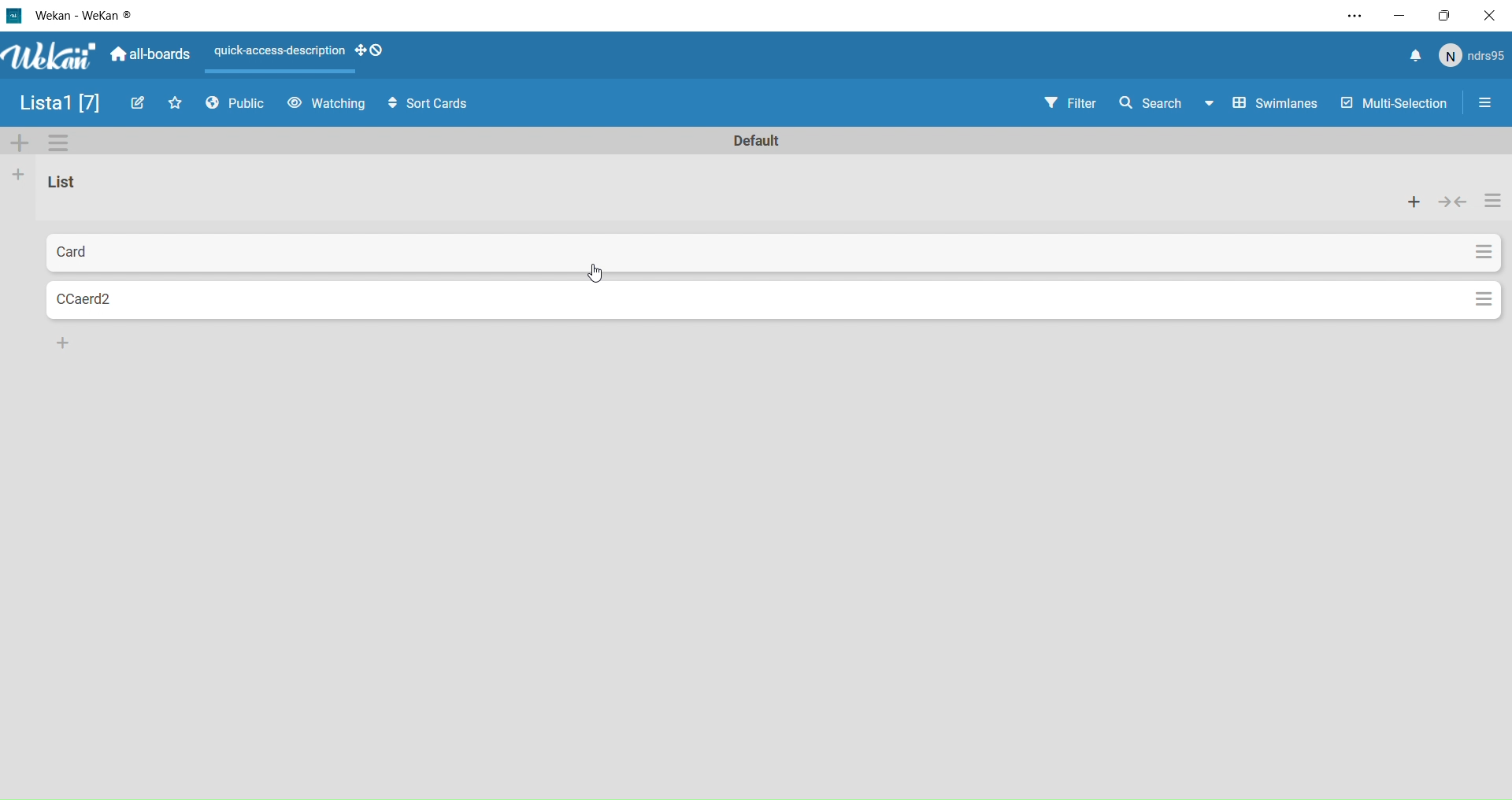 The height and width of the screenshot is (800, 1512). I want to click on Card, so click(667, 254).